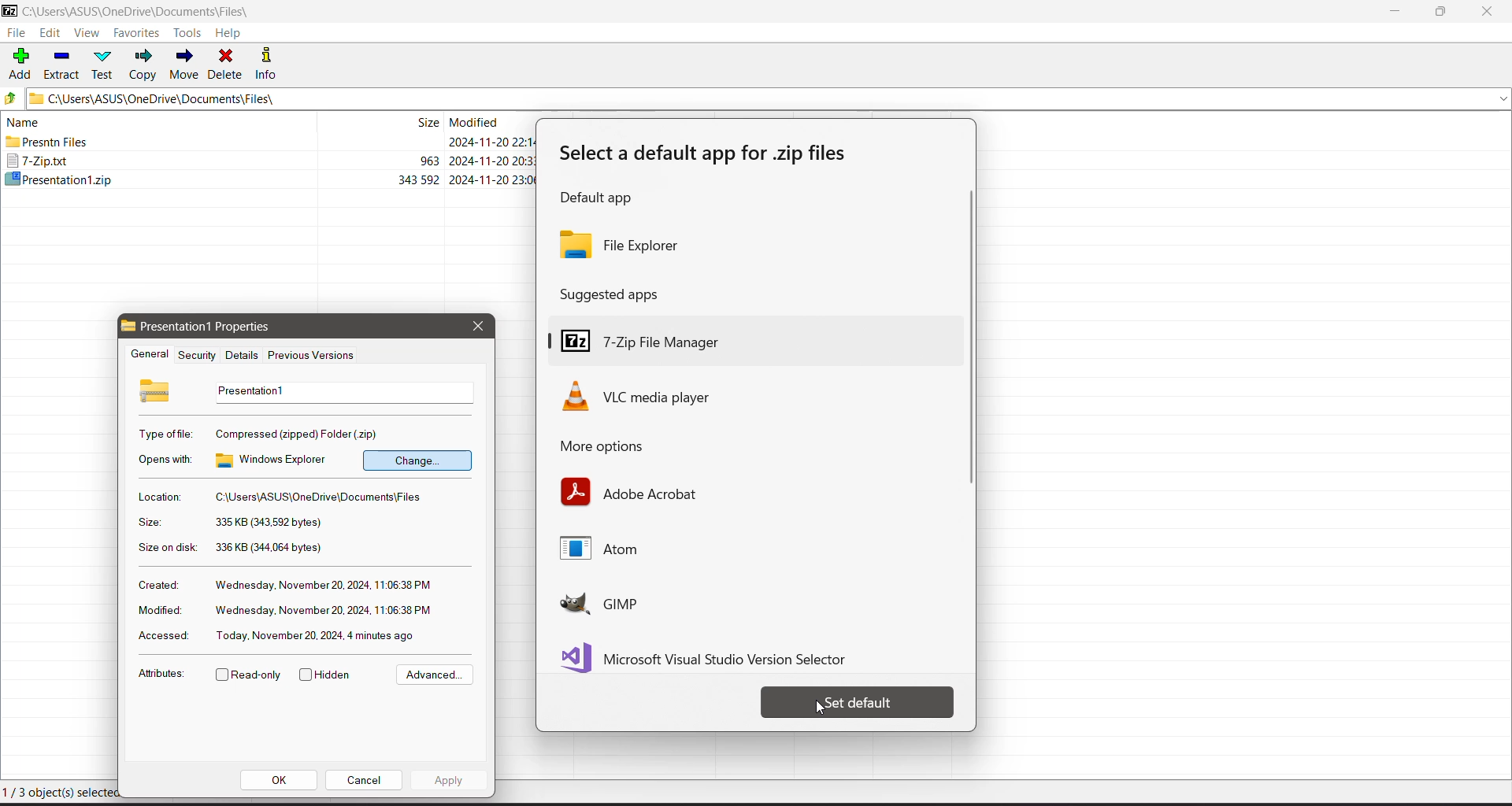 The height and width of the screenshot is (806, 1512). Describe the element at coordinates (137, 33) in the screenshot. I see `Favorites` at that location.